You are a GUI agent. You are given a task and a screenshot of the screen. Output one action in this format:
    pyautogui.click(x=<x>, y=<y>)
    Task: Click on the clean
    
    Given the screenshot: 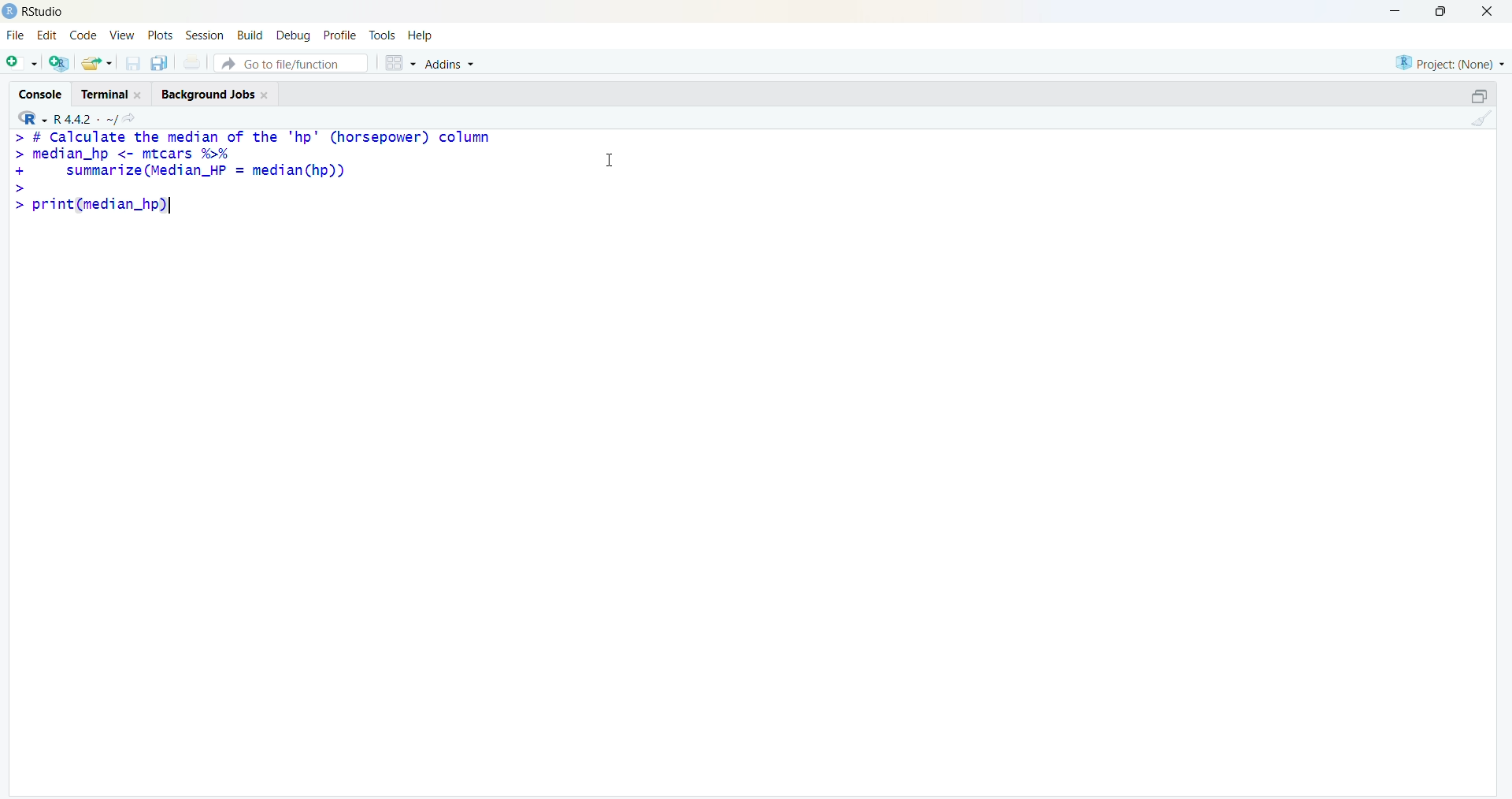 What is the action you would take?
    pyautogui.click(x=1481, y=118)
    